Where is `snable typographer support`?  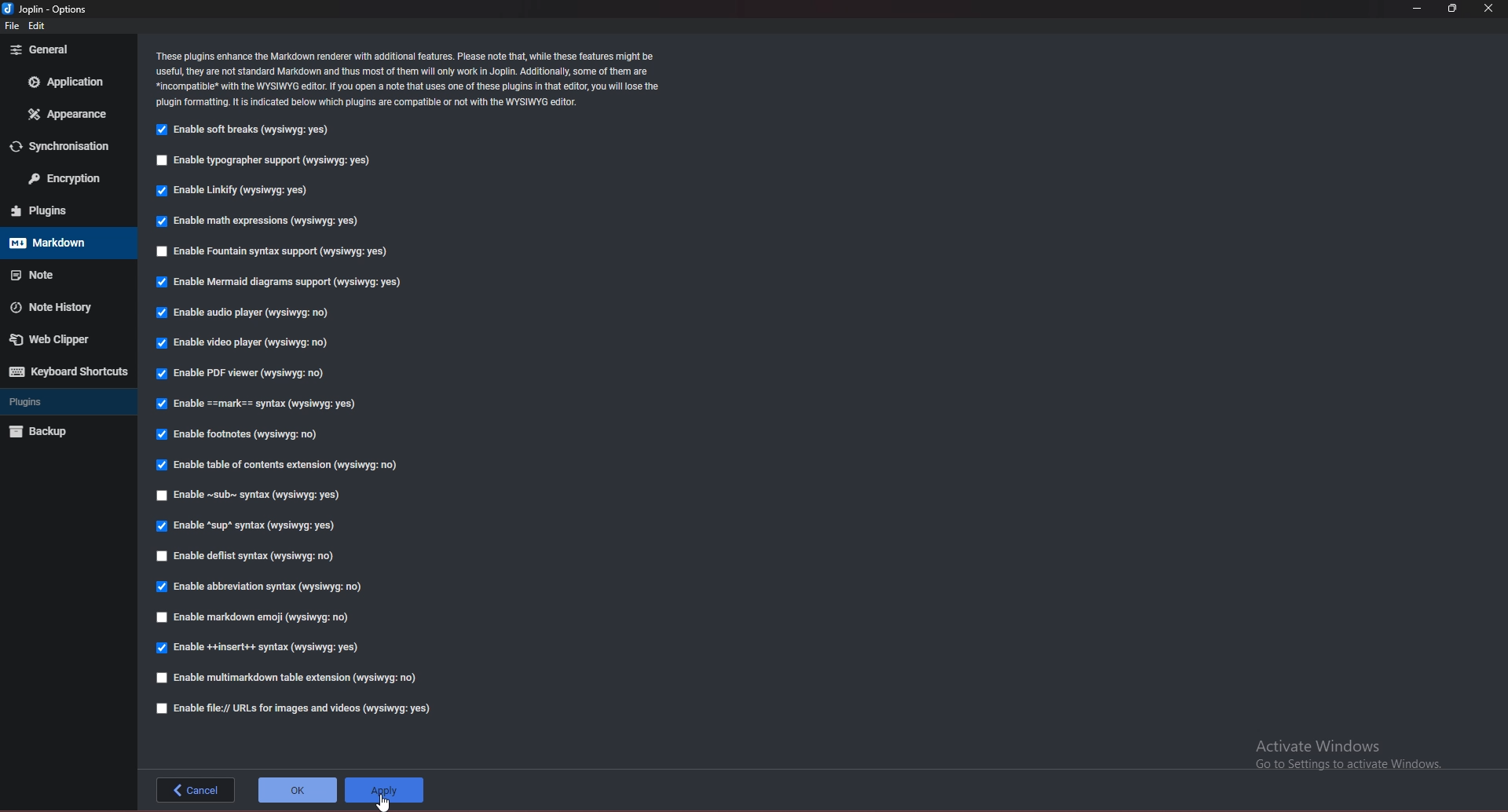 snable typographer support is located at coordinates (269, 161).